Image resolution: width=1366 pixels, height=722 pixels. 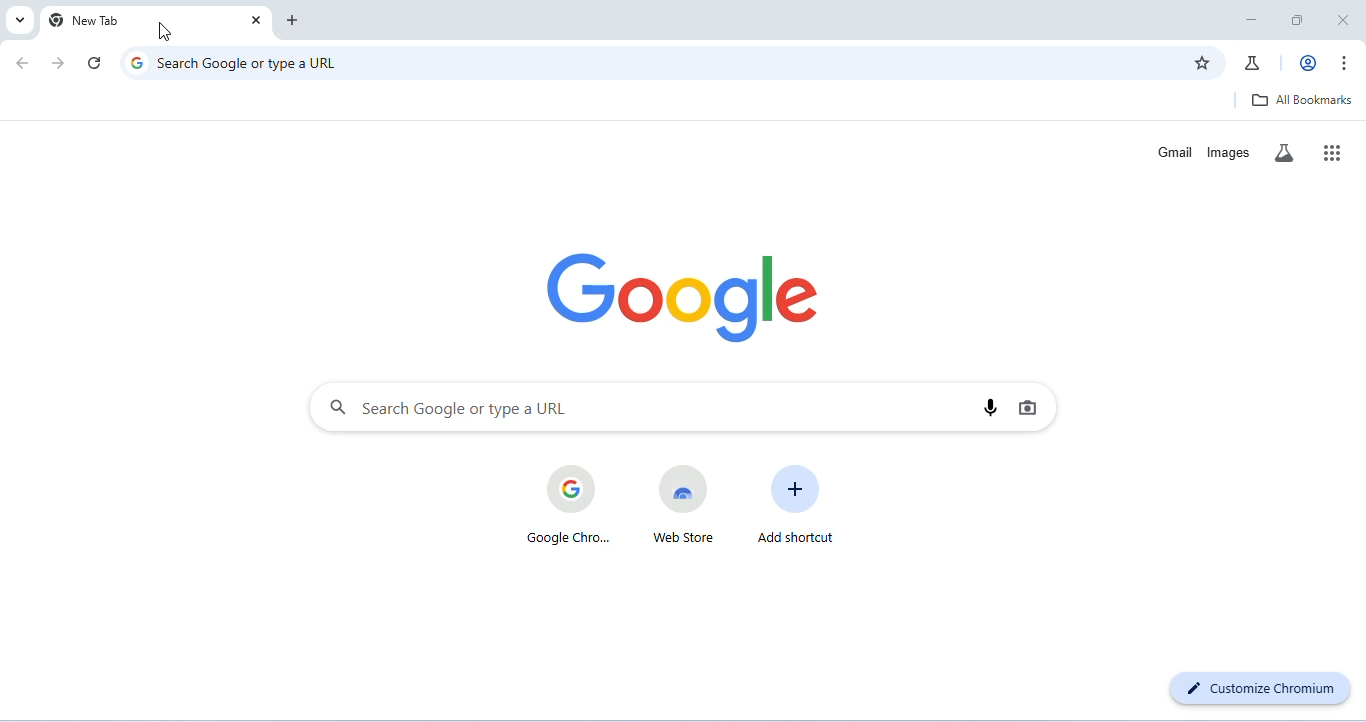 I want to click on add bookmark, so click(x=1203, y=63).